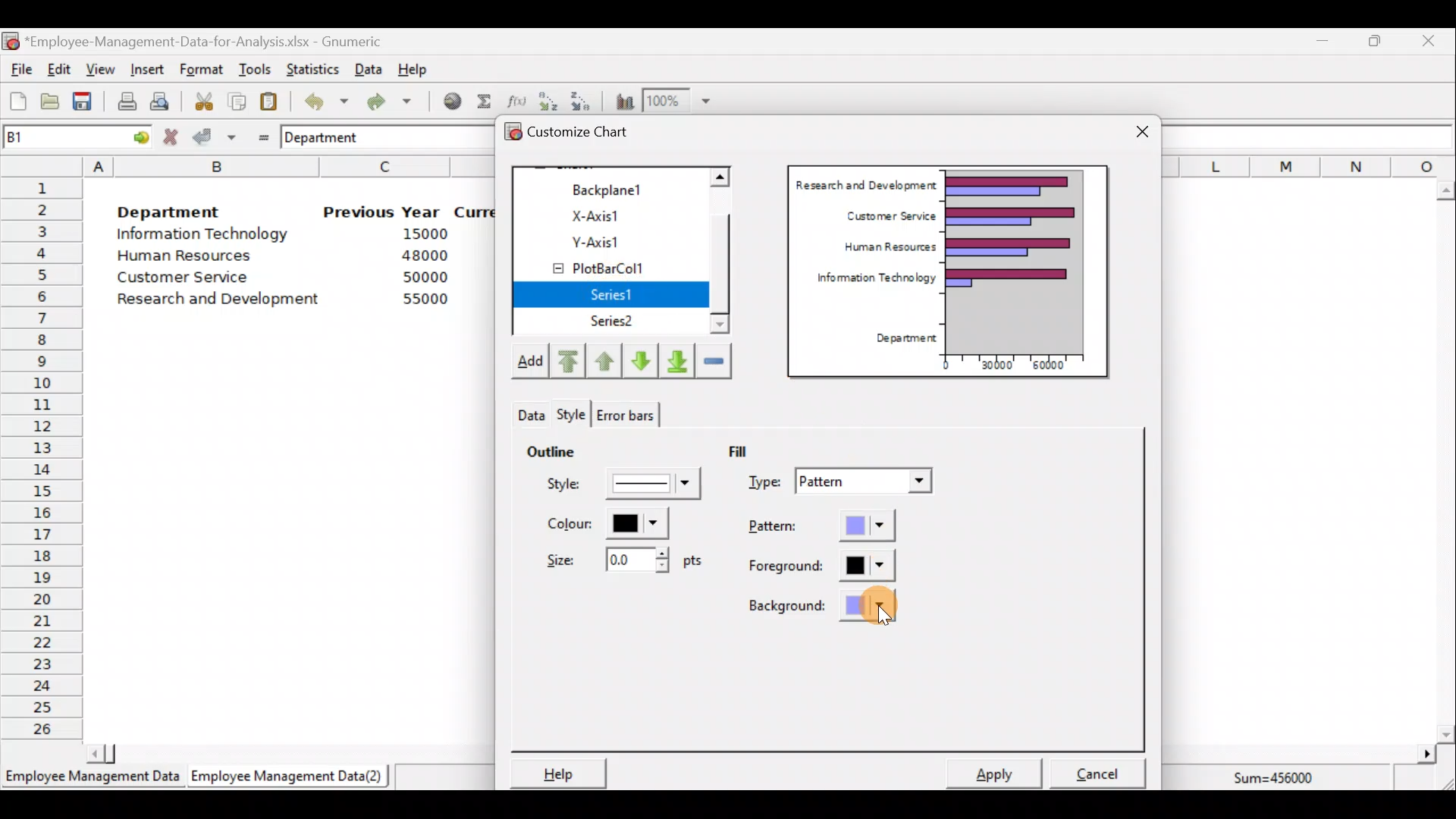 The image size is (1456, 819). Describe the element at coordinates (1282, 780) in the screenshot. I see `Sum=456000` at that location.